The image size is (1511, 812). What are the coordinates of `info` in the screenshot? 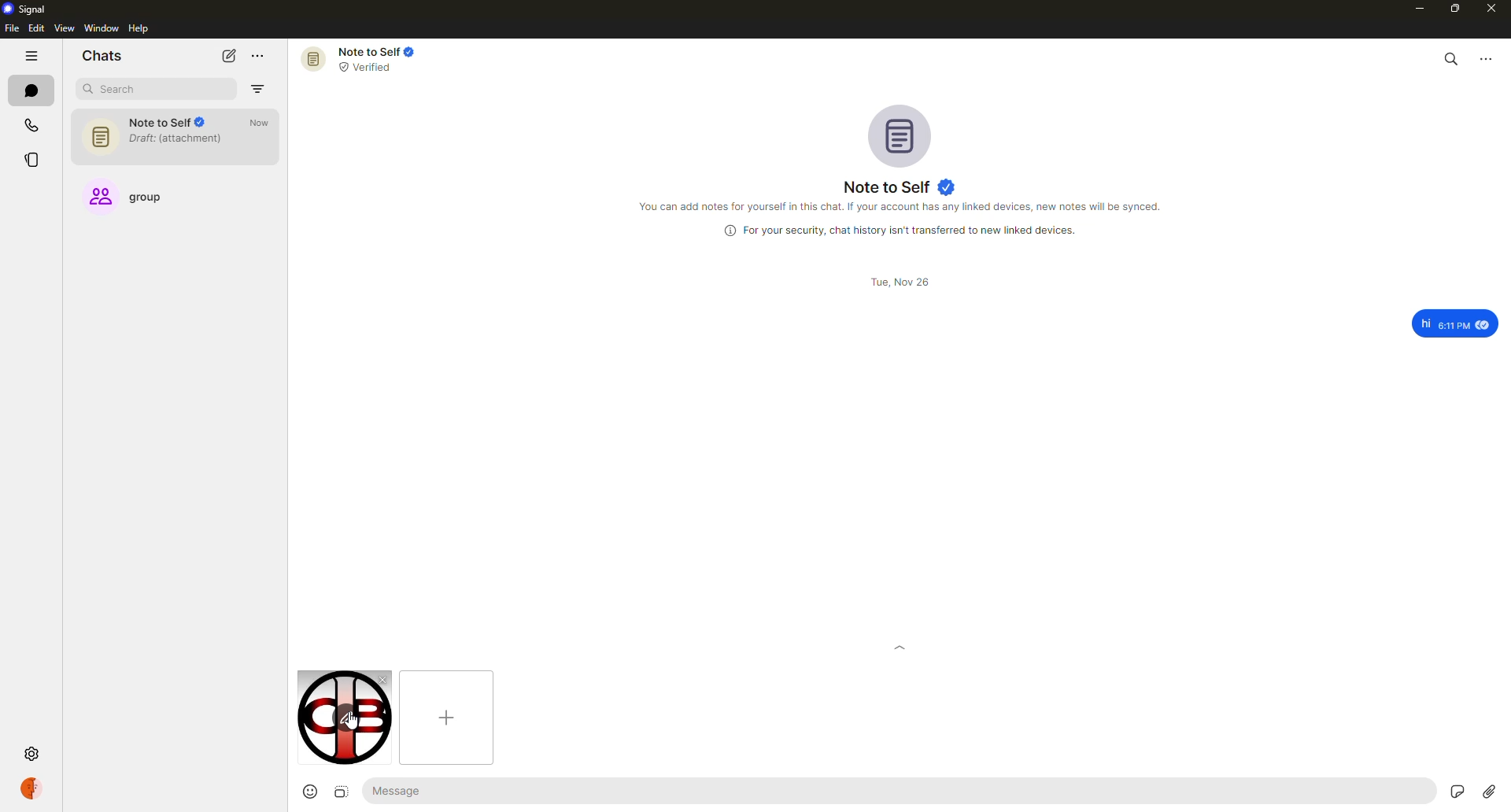 It's located at (897, 231).